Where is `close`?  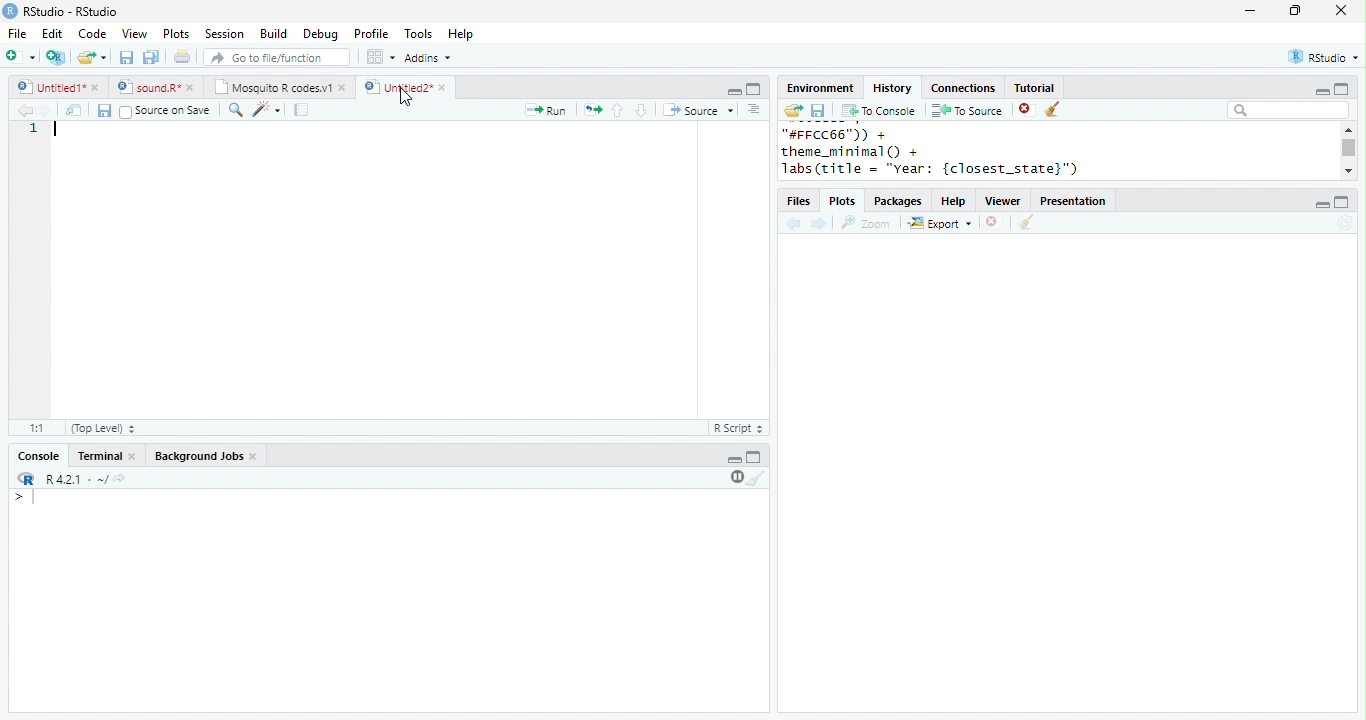
close is located at coordinates (192, 88).